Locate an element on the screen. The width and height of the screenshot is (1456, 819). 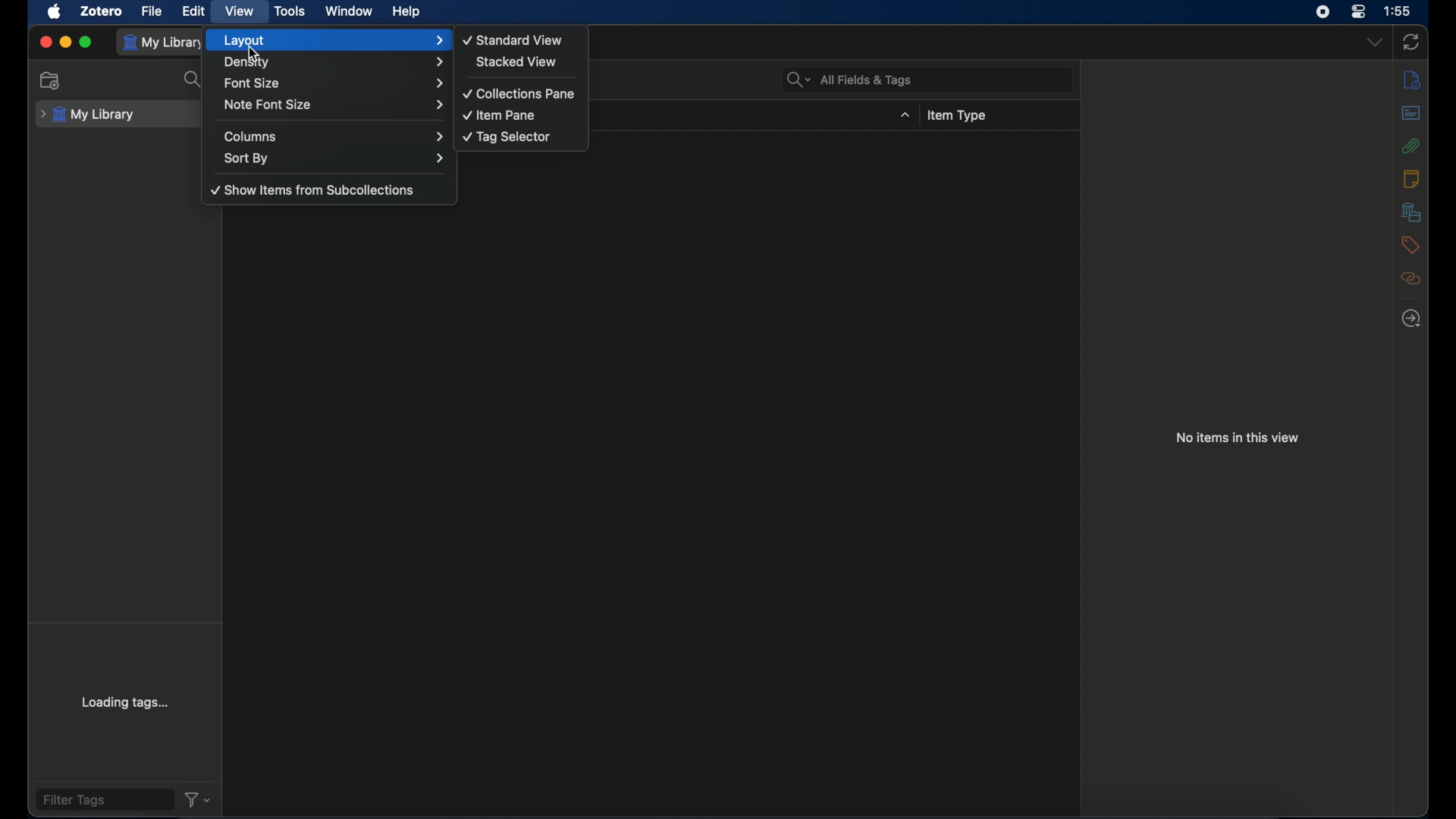
attachments is located at coordinates (1411, 146).